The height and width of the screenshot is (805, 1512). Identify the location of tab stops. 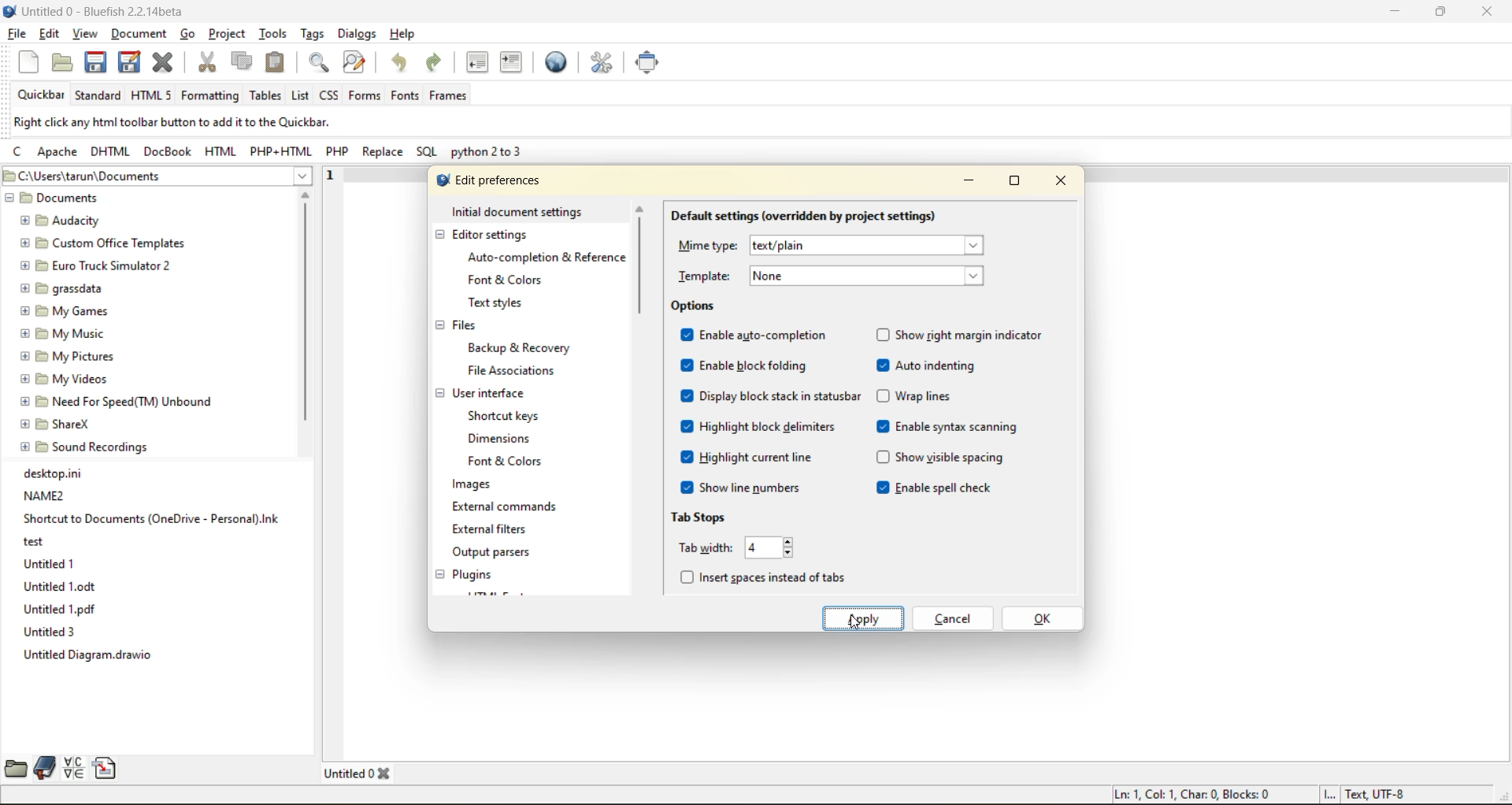
(701, 517).